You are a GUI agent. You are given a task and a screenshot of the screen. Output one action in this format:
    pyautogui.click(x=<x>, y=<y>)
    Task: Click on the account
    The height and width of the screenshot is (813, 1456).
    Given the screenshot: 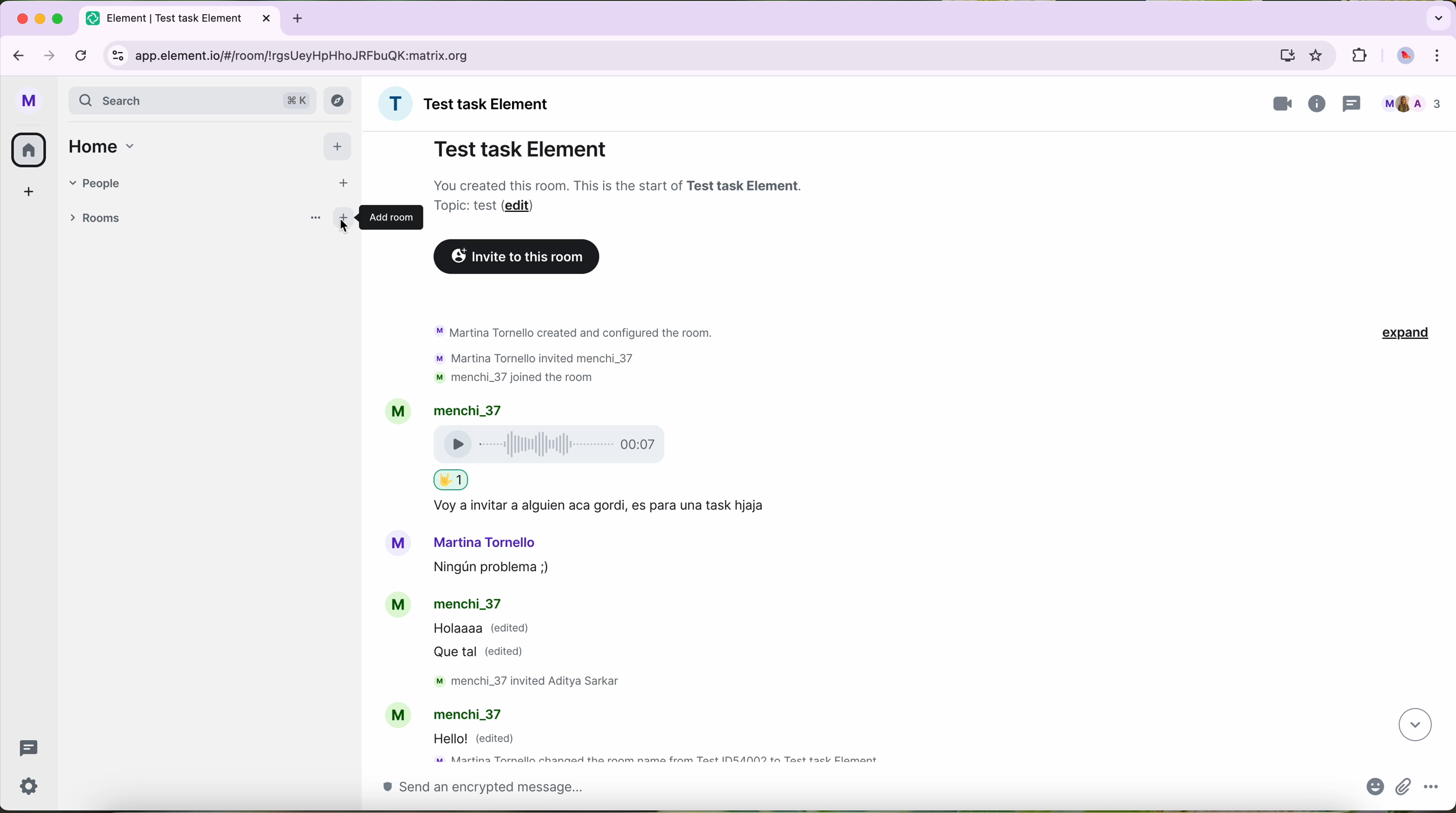 What is the action you would take?
    pyautogui.click(x=470, y=542)
    